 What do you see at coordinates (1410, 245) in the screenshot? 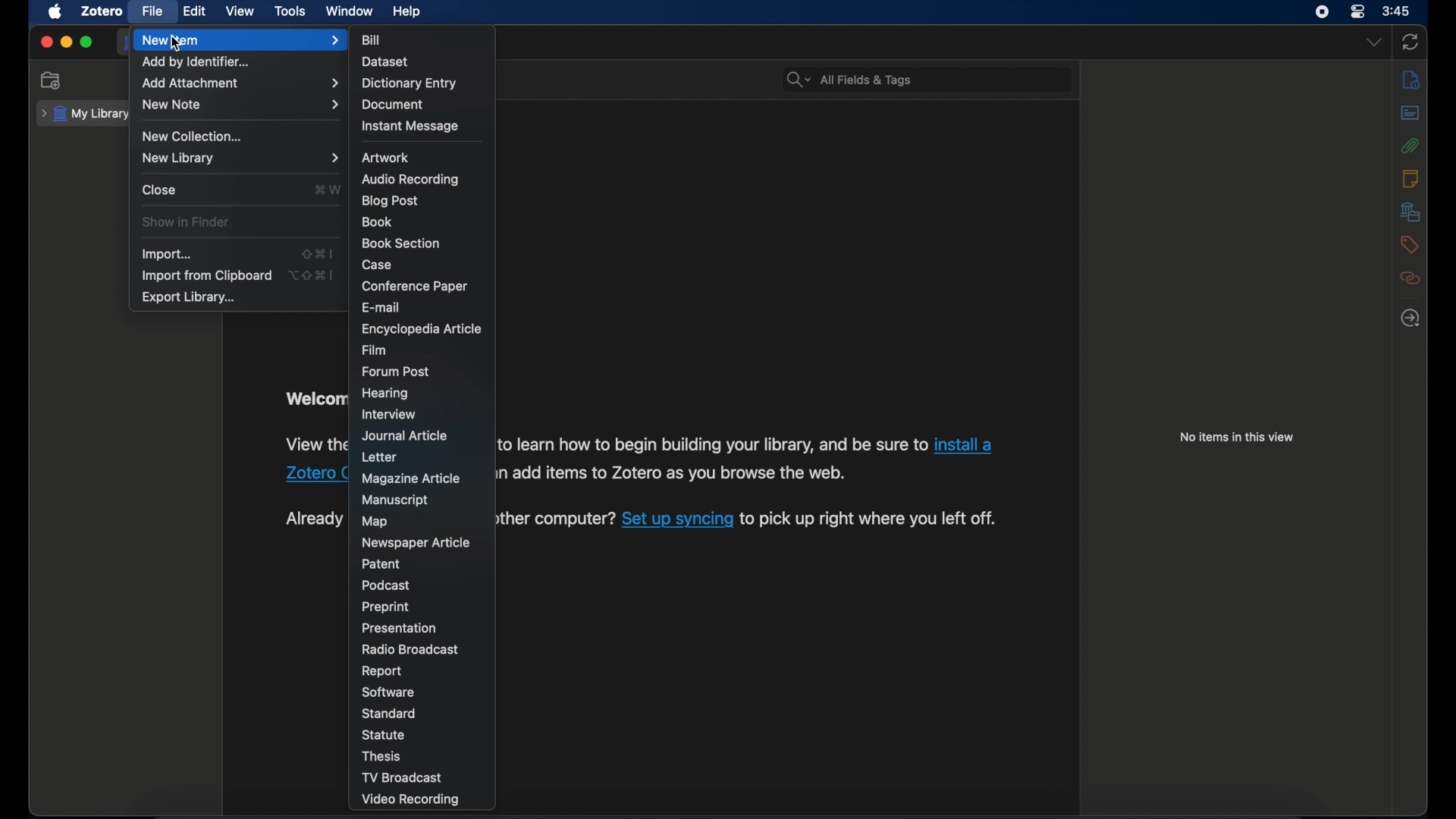
I see `tags` at bounding box center [1410, 245].